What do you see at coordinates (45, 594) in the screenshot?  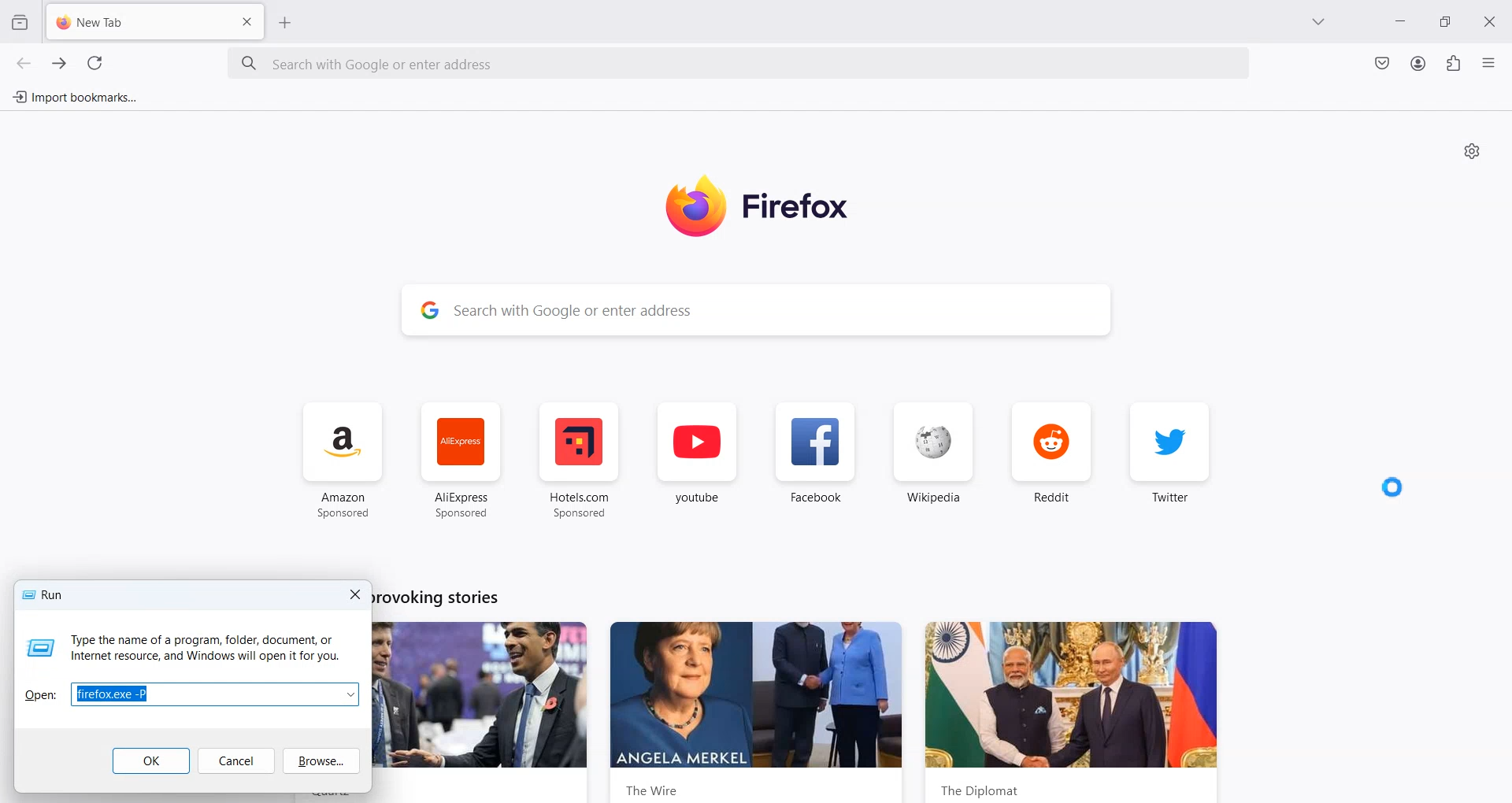 I see `Run` at bounding box center [45, 594].